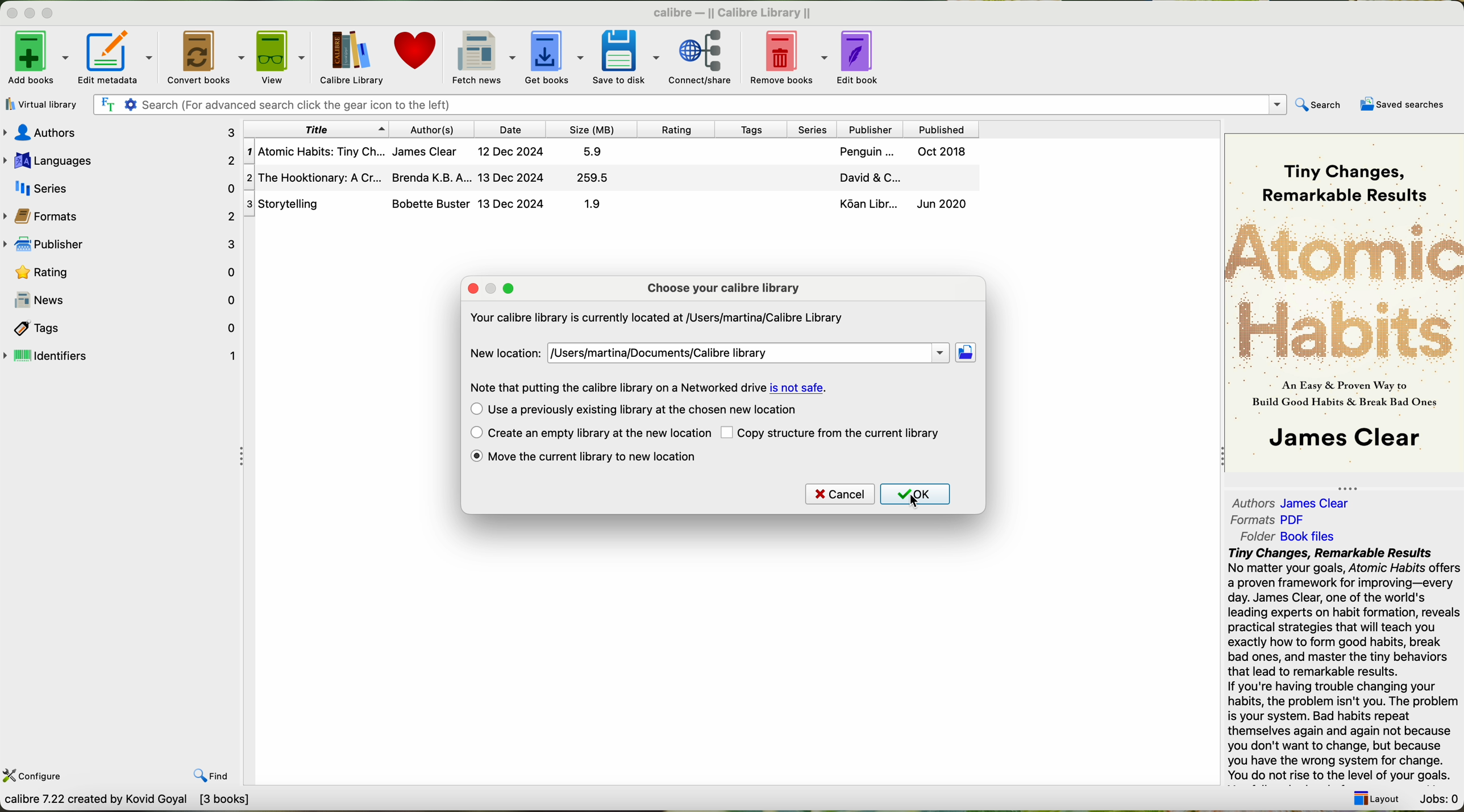 This screenshot has width=1464, height=812. What do you see at coordinates (442, 204) in the screenshot?
I see `3| Storytelling Bobette Buster 13 Dec 2024 1.9` at bounding box center [442, 204].